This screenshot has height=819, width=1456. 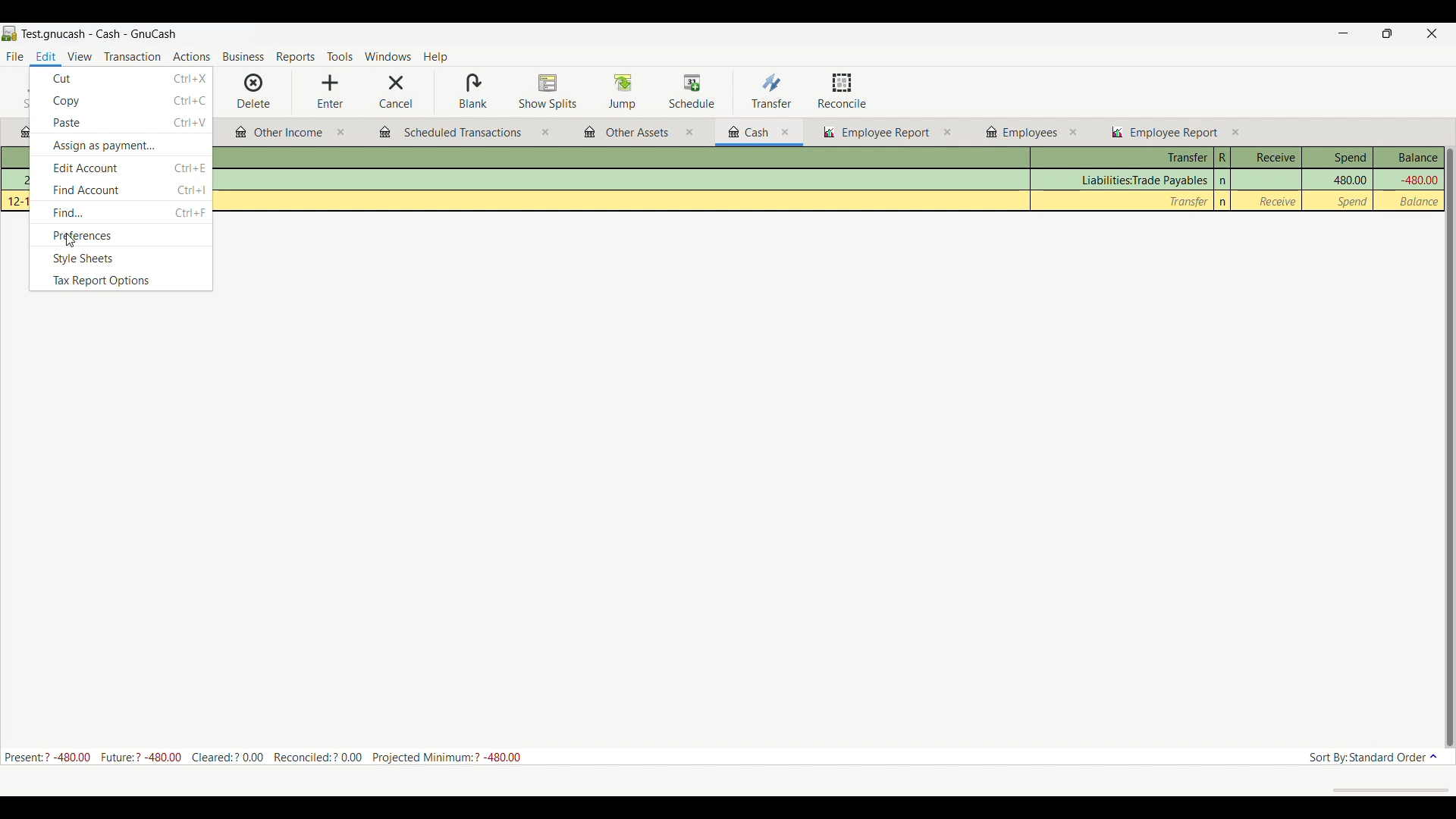 What do you see at coordinates (1277, 201) in the screenshot?
I see `Receive column` at bounding box center [1277, 201].